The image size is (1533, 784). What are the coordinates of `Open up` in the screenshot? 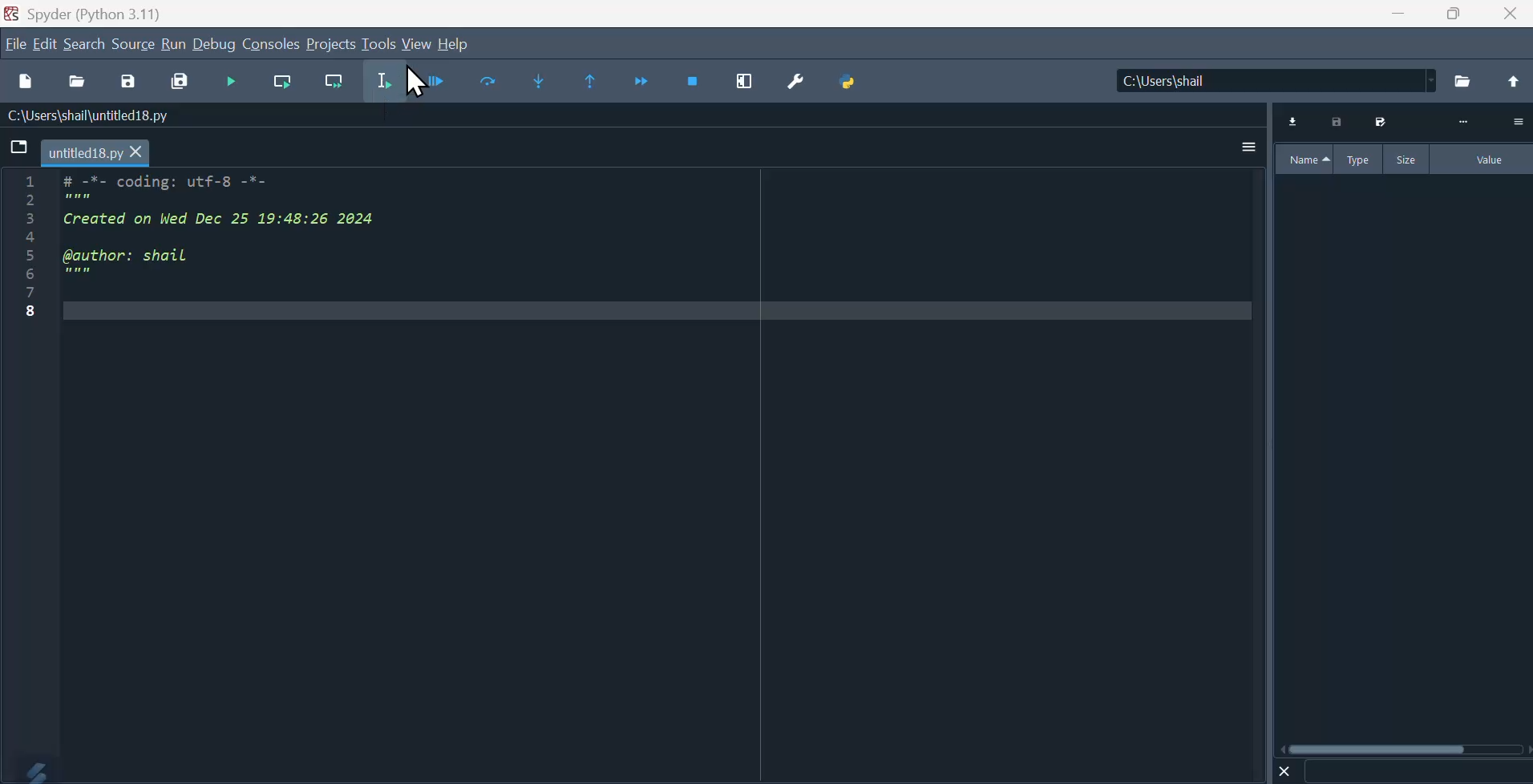 It's located at (1511, 83).